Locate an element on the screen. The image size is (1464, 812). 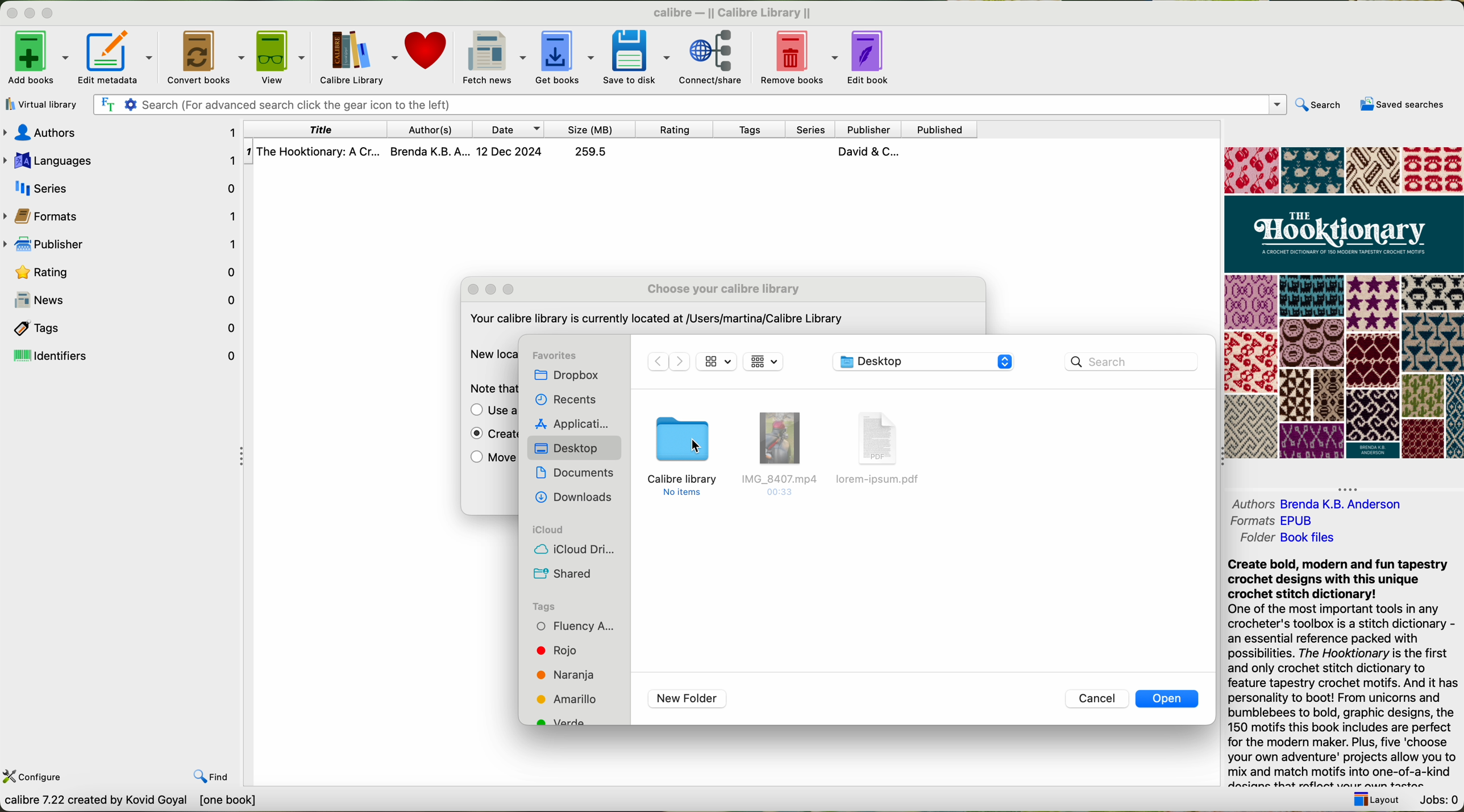
hide is located at coordinates (241, 454).